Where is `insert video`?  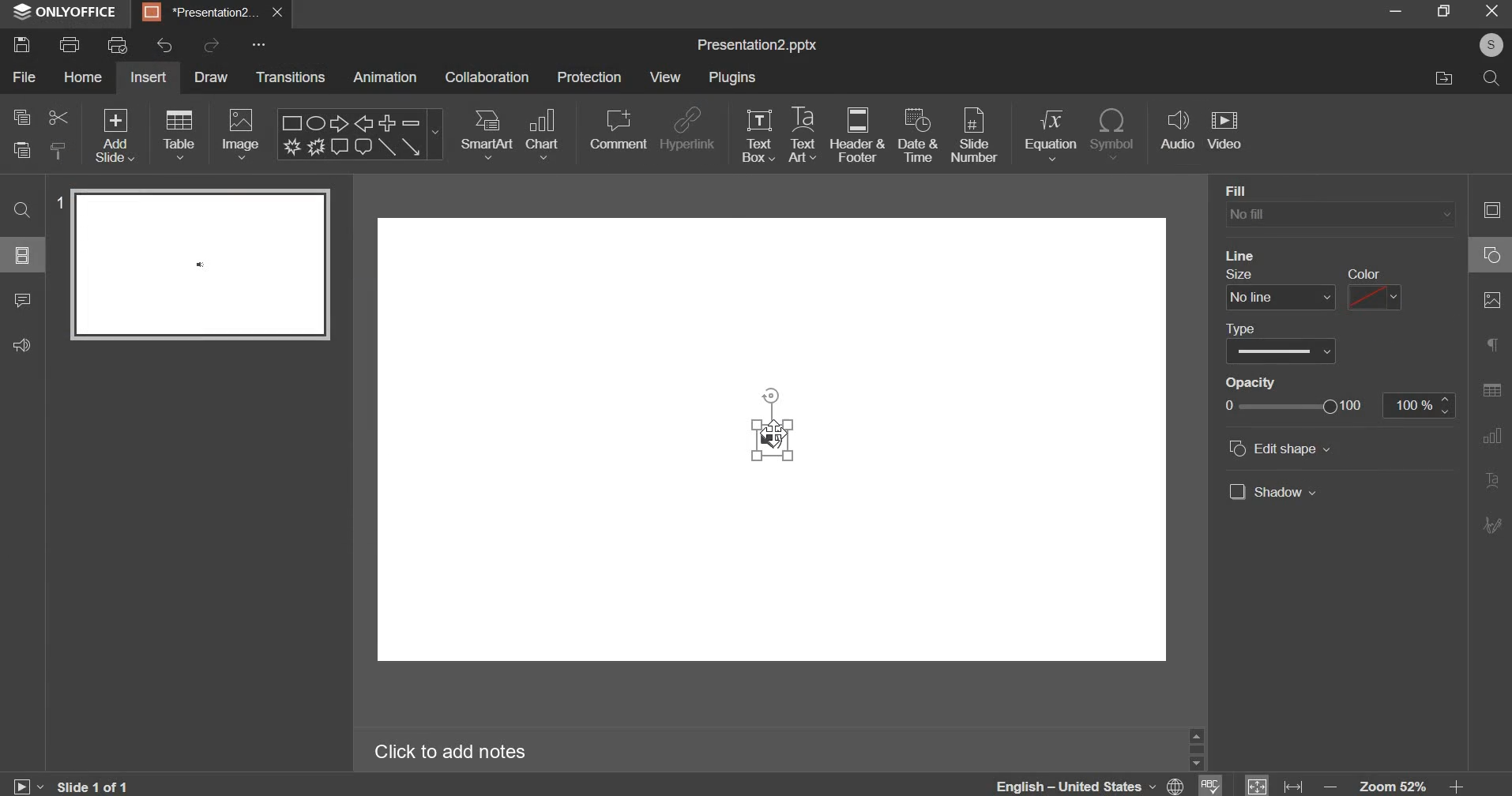
insert video is located at coordinates (1228, 133).